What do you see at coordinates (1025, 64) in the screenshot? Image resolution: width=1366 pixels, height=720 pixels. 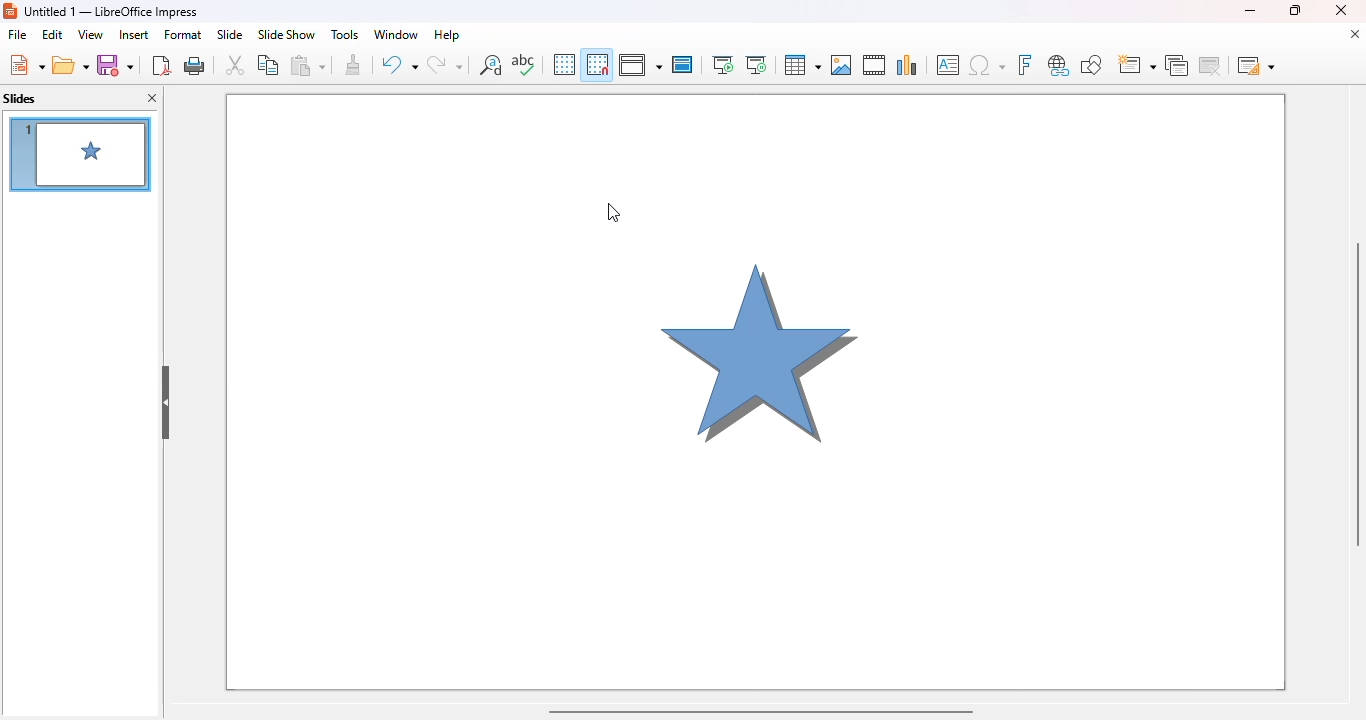 I see `insert fontwork text` at bounding box center [1025, 64].